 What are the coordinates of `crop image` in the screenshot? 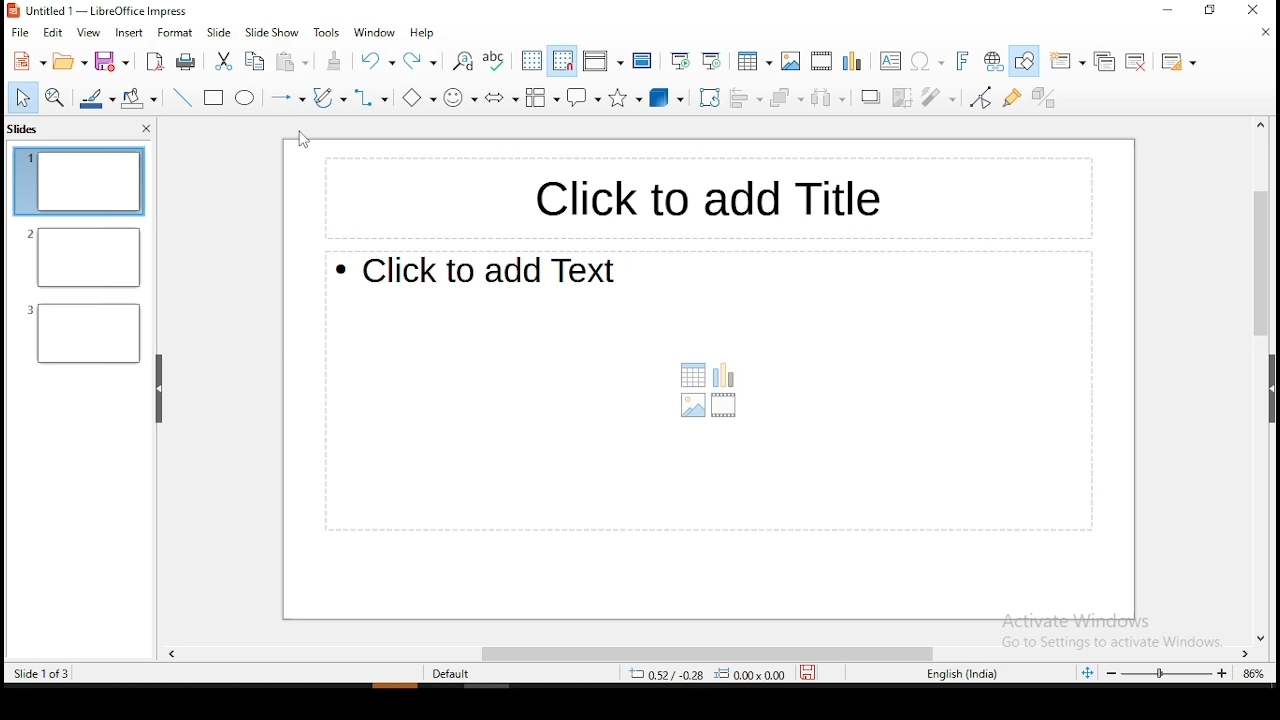 It's located at (904, 97).